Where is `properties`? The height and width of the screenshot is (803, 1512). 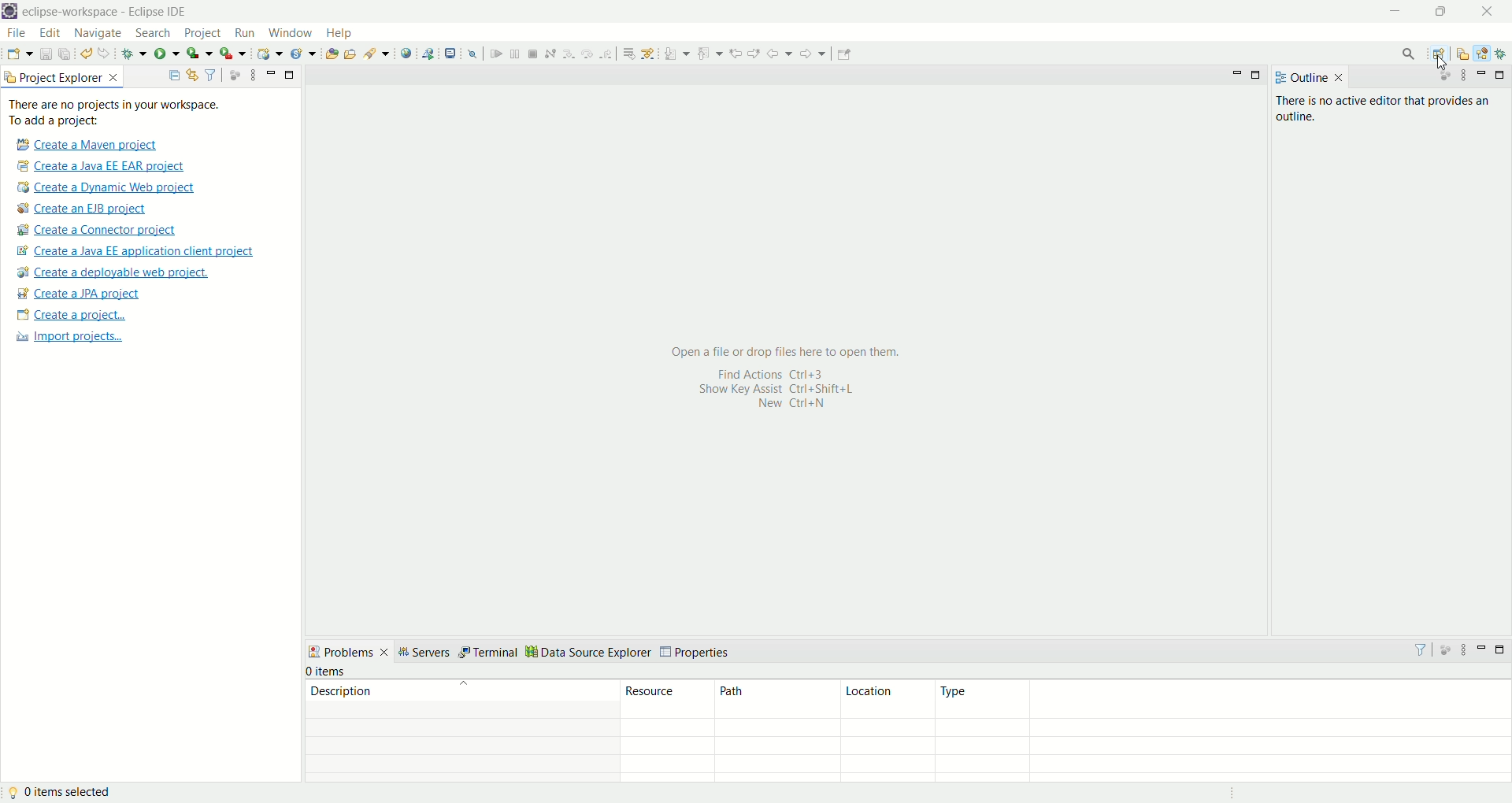 properties is located at coordinates (696, 651).